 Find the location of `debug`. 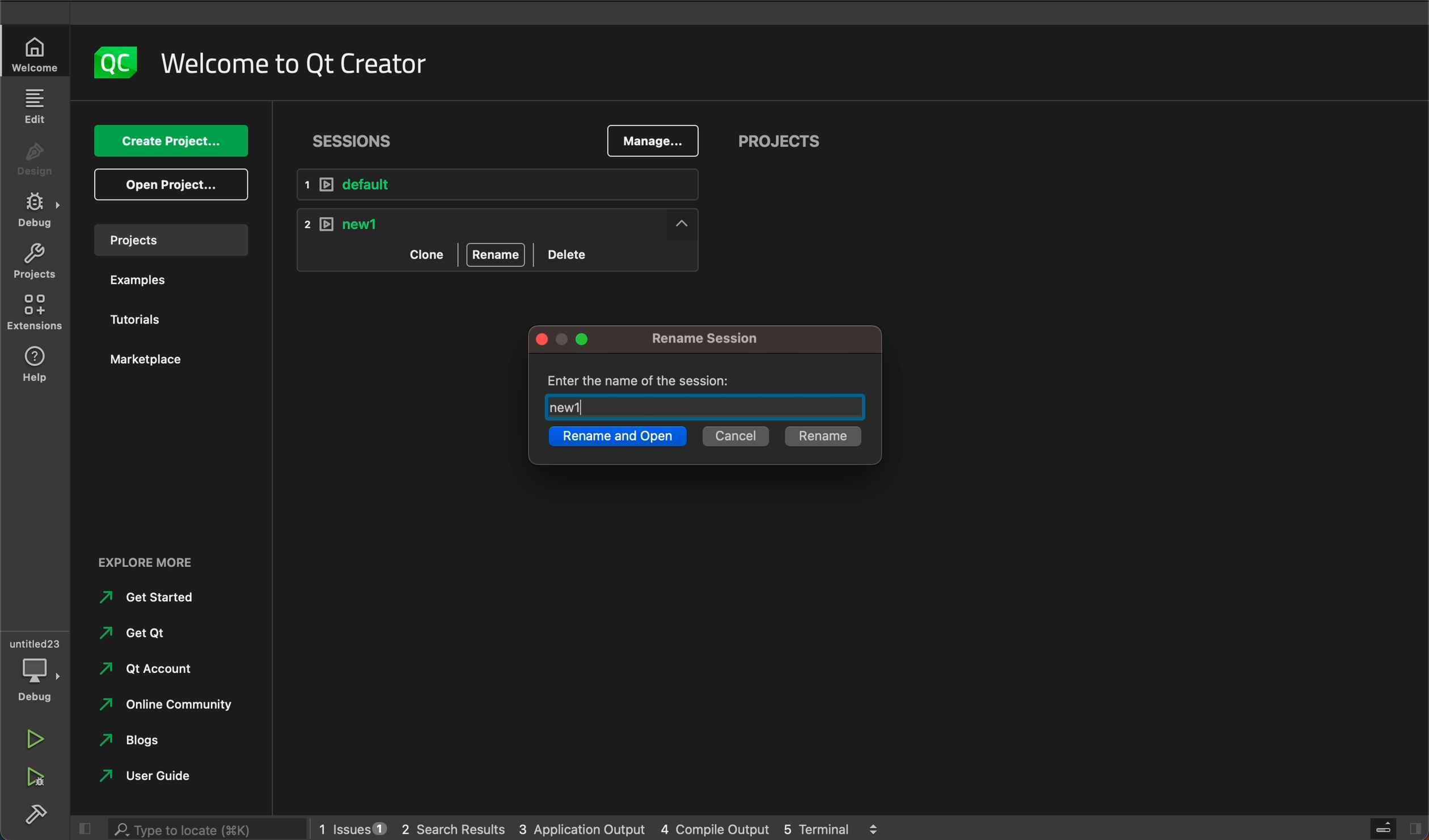

debug is located at coordinates (40, 672).